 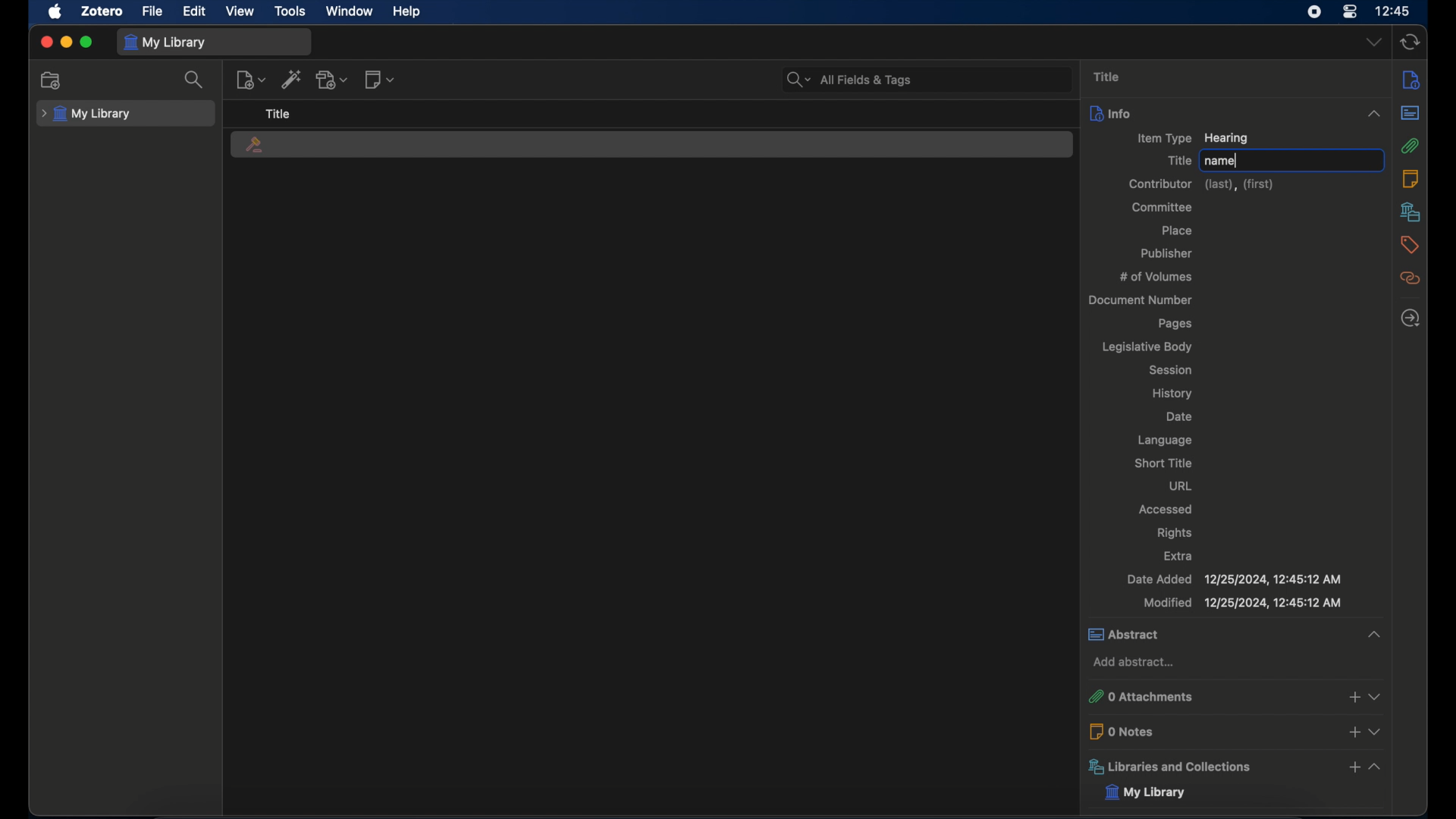 What do you see at coordinates (1162, 207) in the screenshot?
I see `committee` at bounding box center [1162, 207].